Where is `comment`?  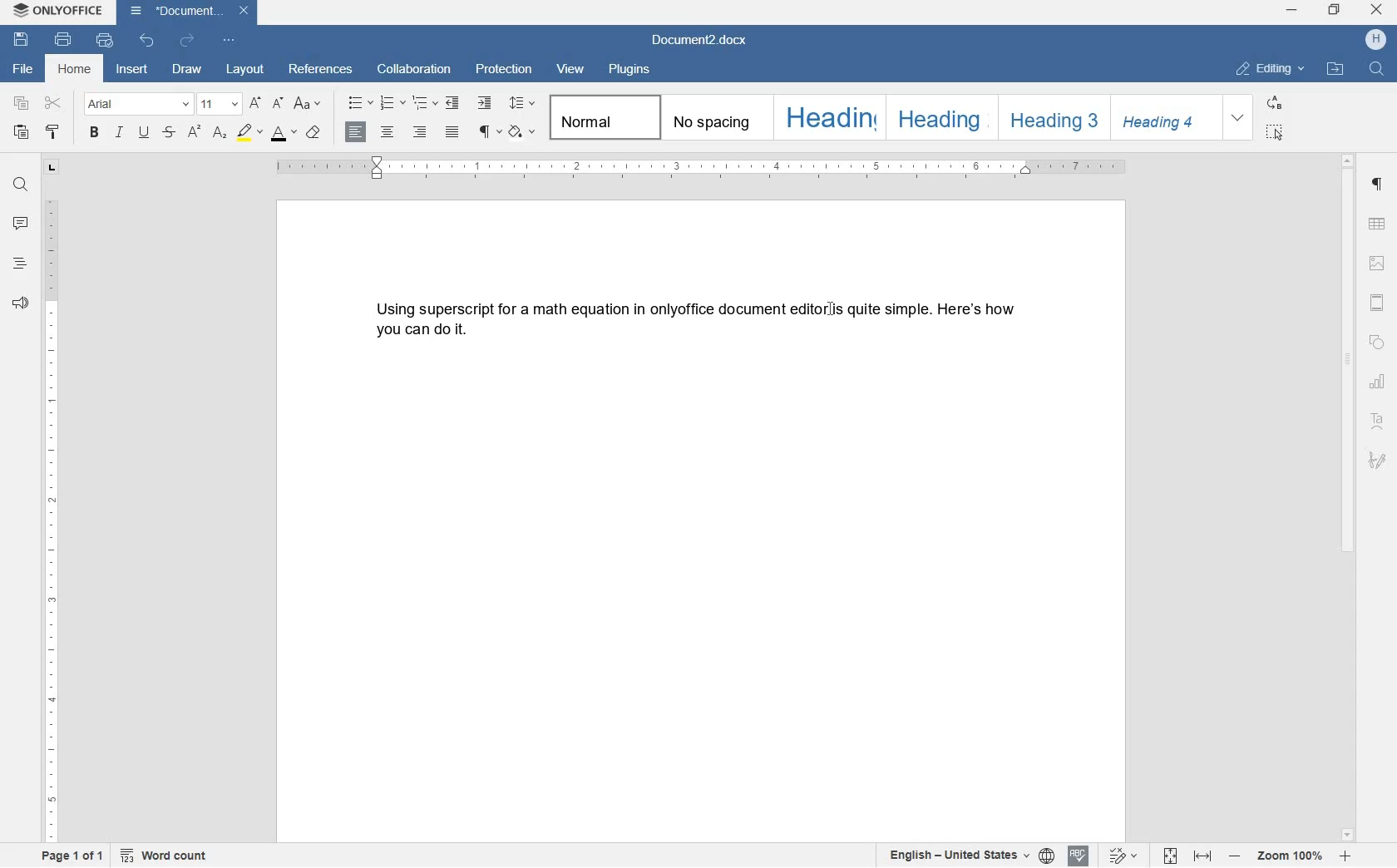 comment is located at coordinates (20, 224).